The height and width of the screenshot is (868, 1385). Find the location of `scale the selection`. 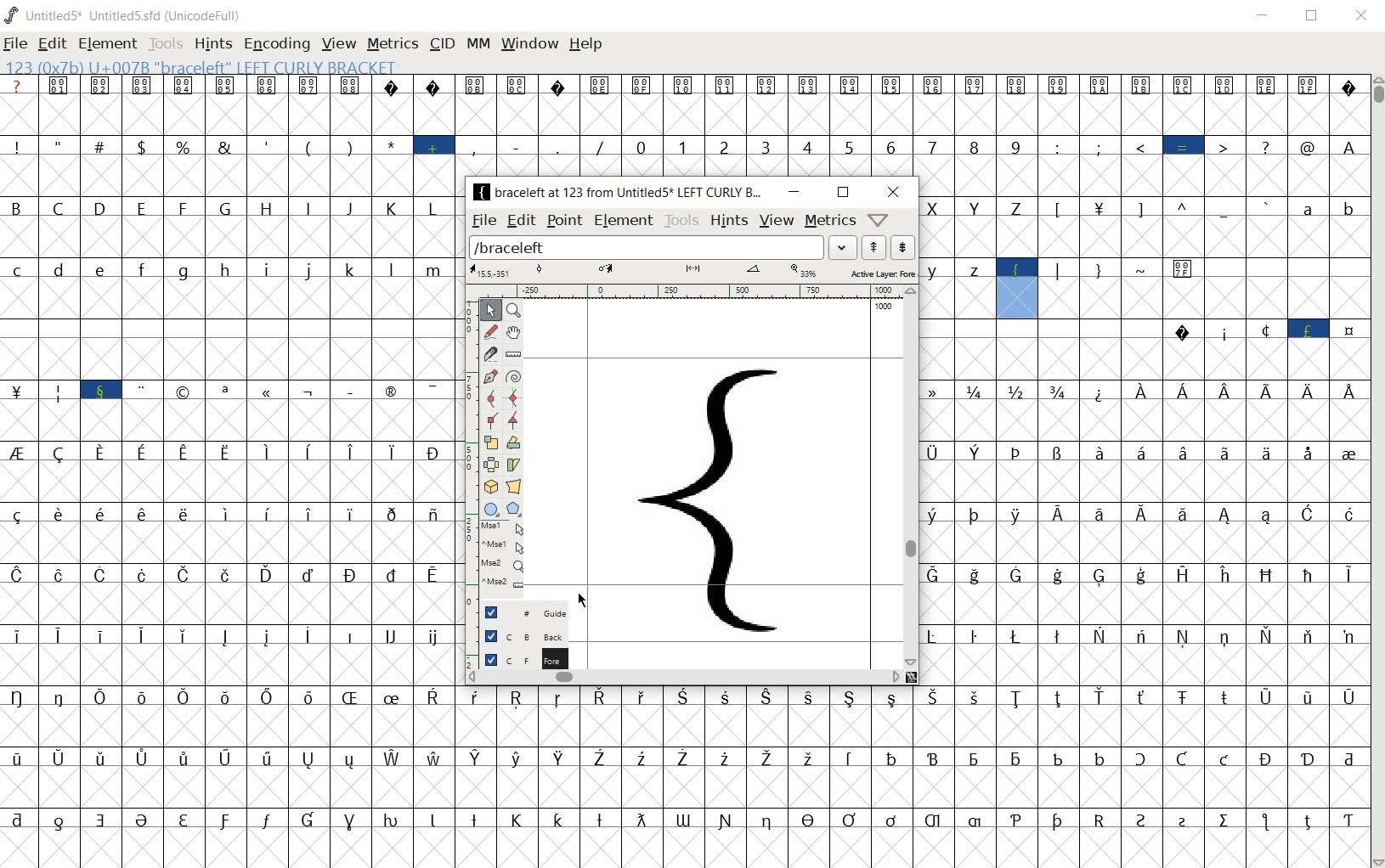

scale the selection is located at coordinates (491, 443).